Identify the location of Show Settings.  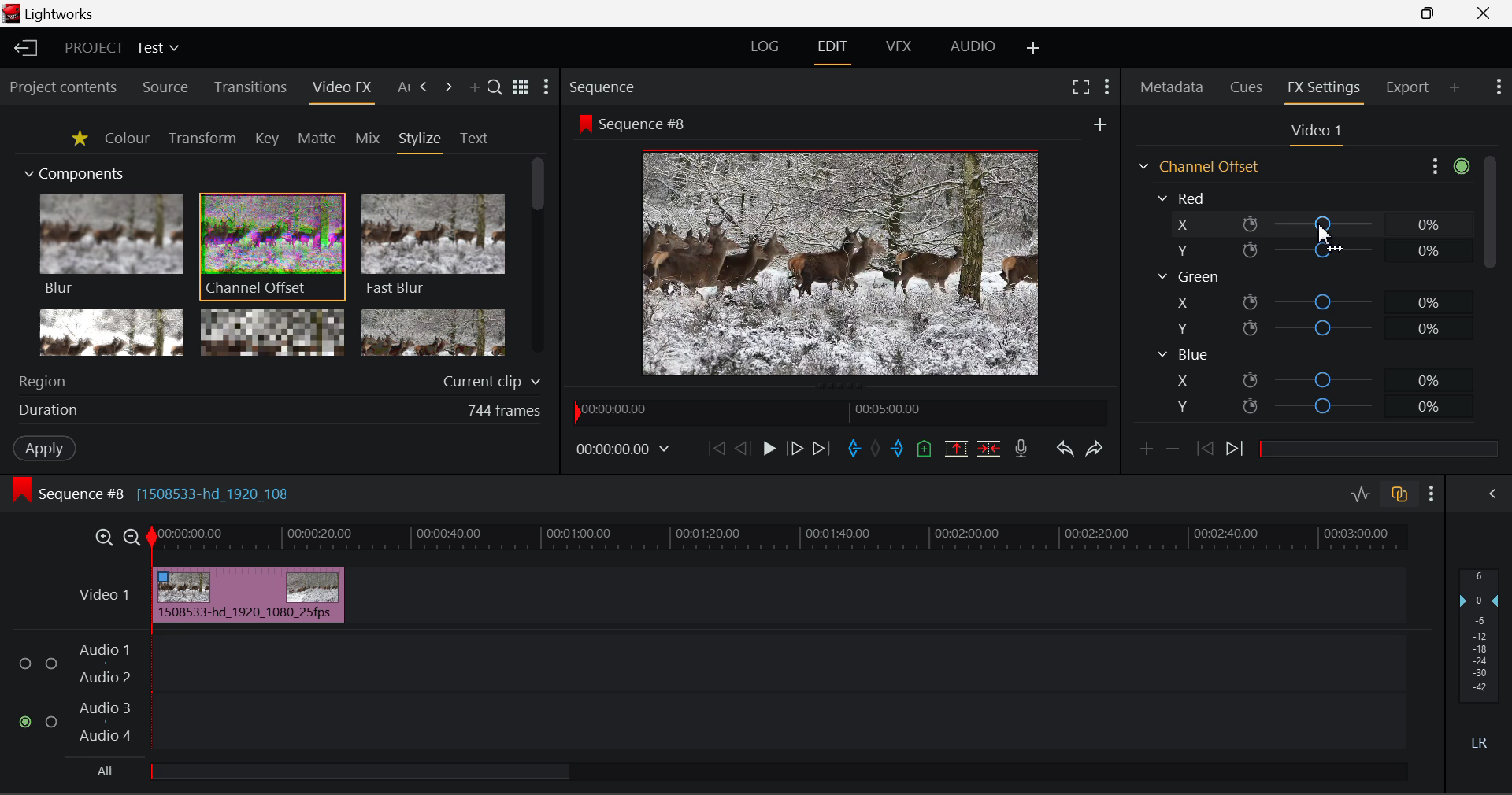
(1498, 87).